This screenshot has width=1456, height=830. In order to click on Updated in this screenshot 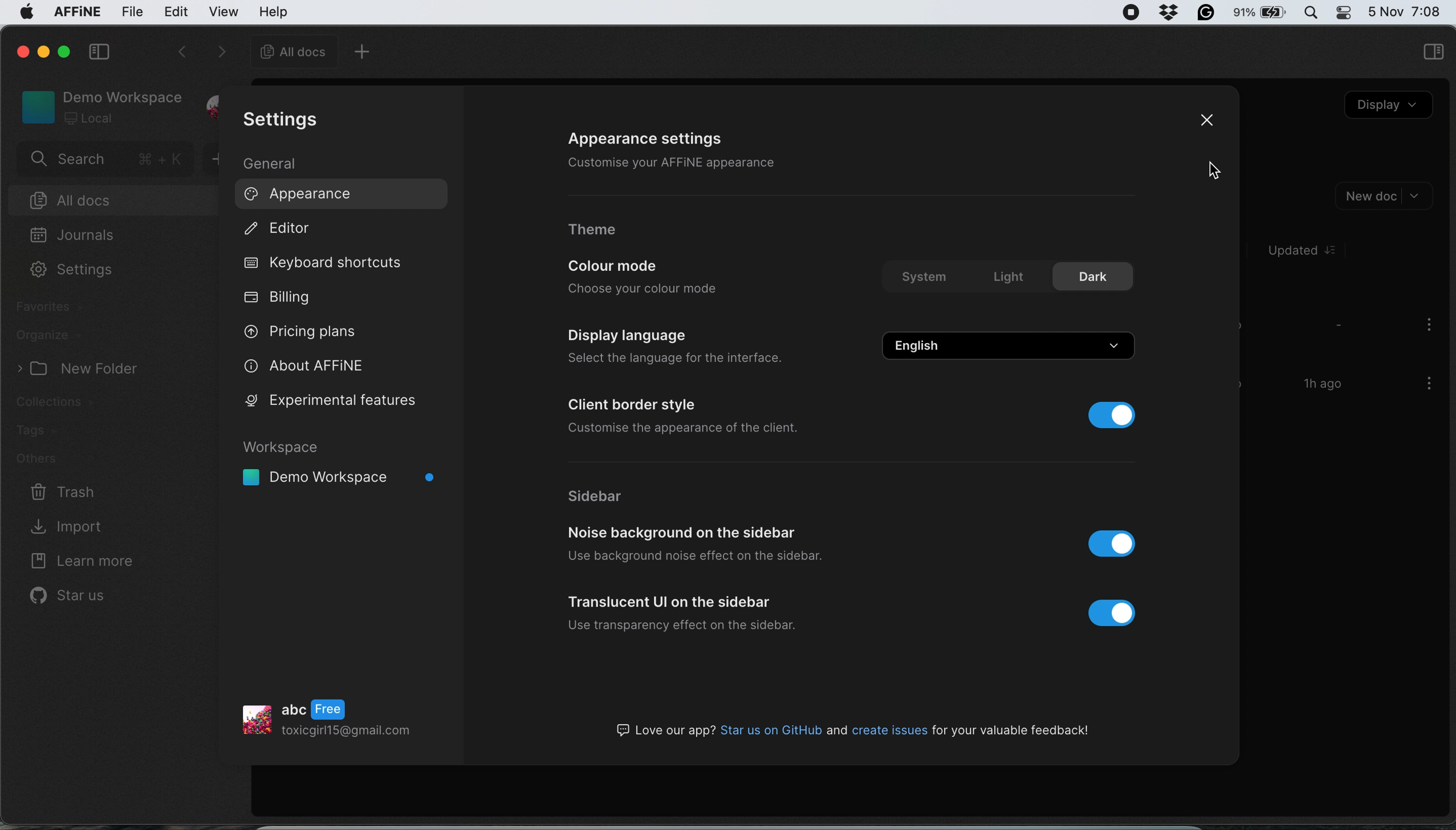, I will do `click(1299, 250)`.